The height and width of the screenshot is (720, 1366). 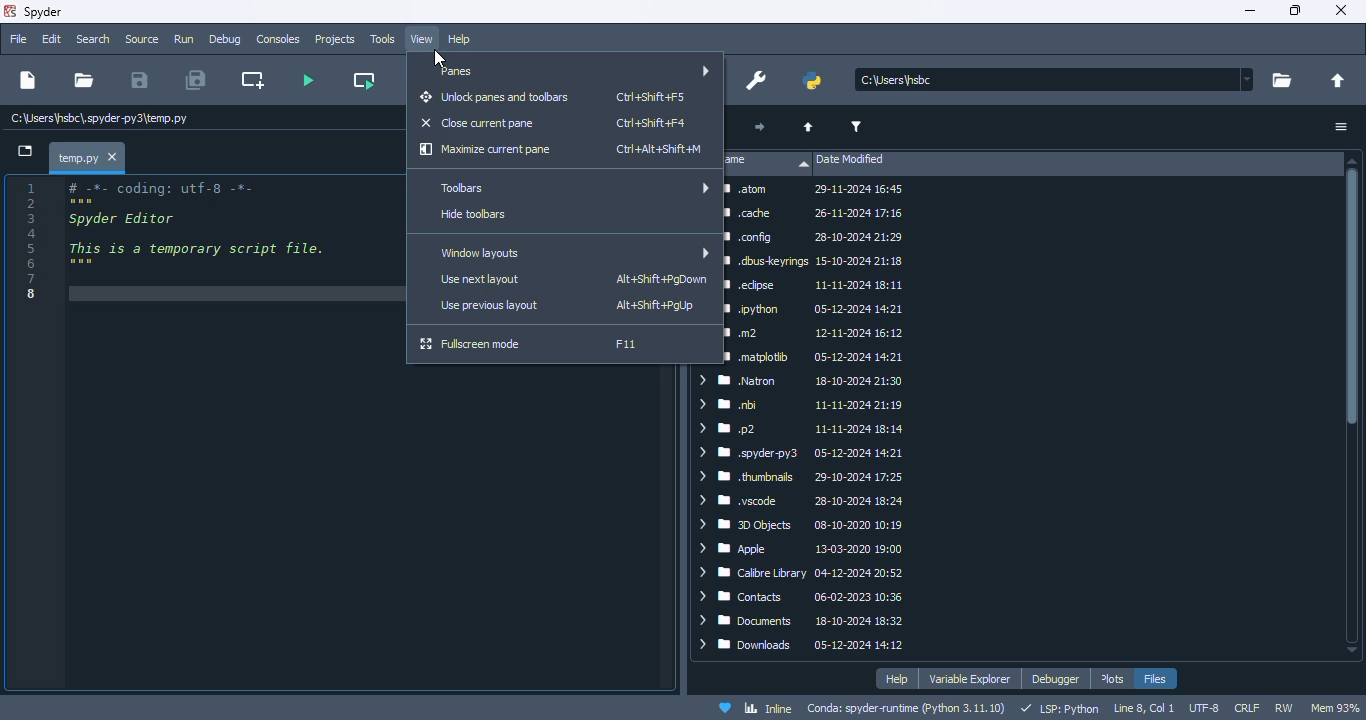 What do you see at coordinates (625, 343) in the screenshot?
I see `shortcut for fullscreen mode` at bounding box center [625, 343].